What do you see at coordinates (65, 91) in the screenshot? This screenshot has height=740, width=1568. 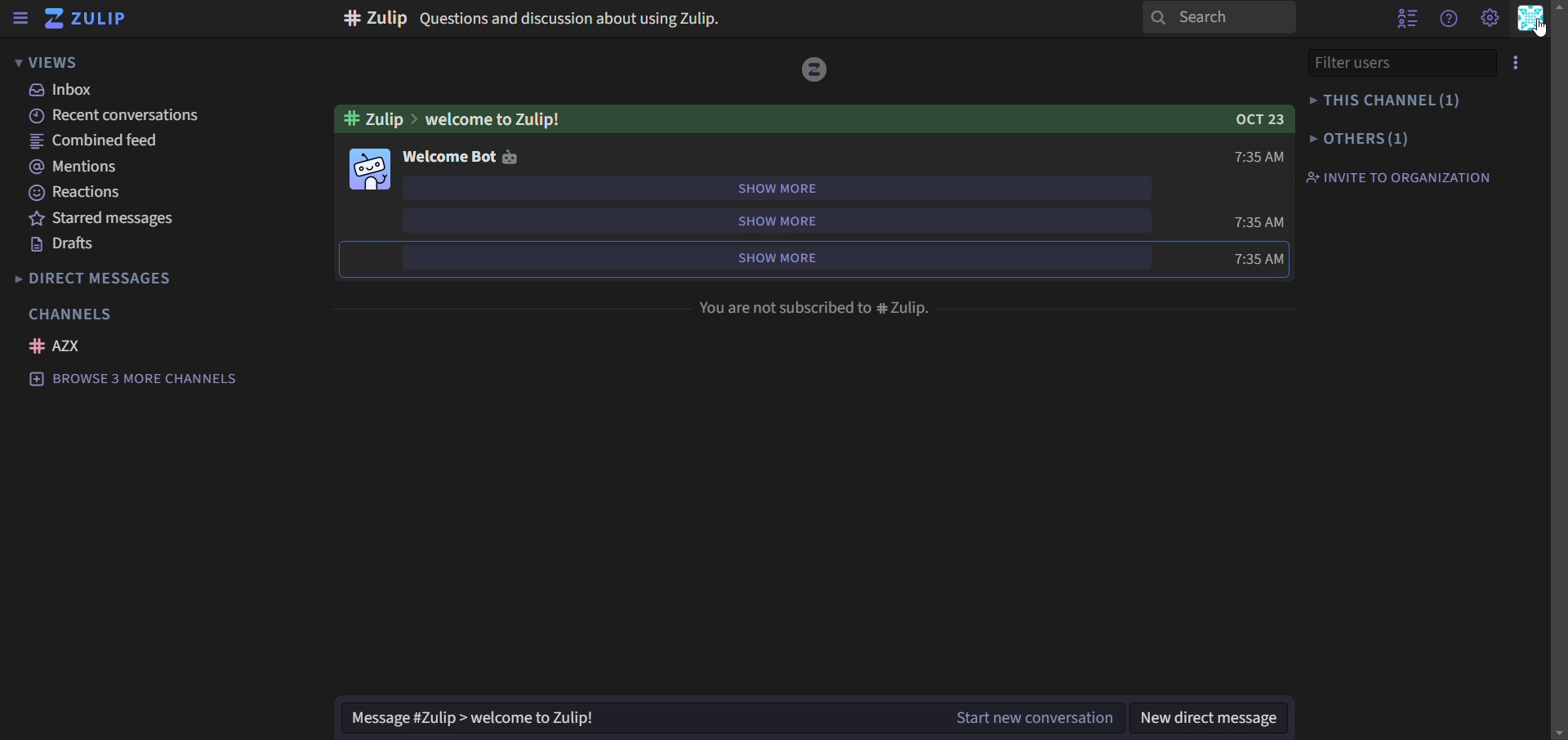 I see `inbox` at bounding box center [65, 91].